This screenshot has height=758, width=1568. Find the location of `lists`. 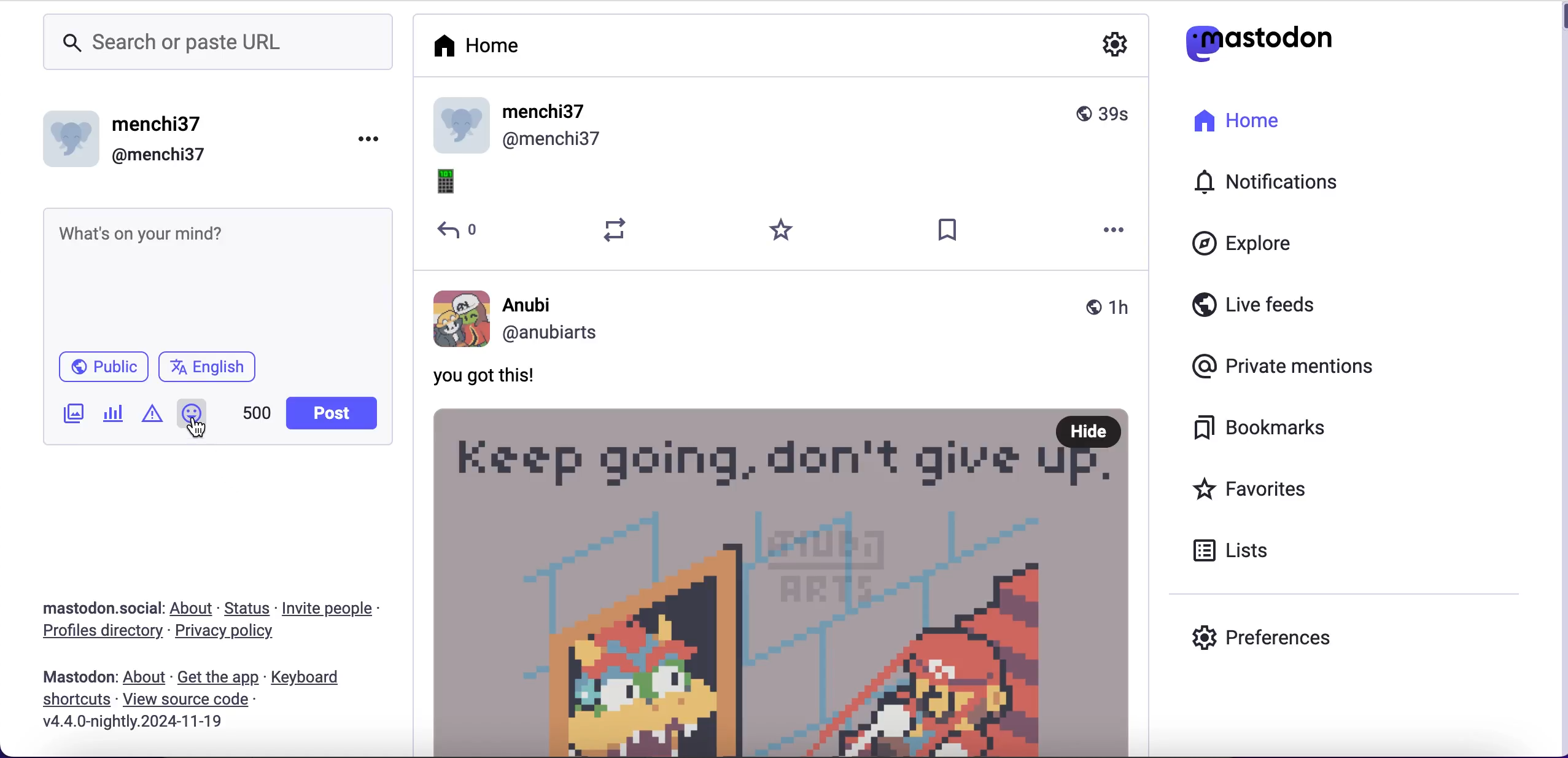

lists is located at coordinates (1234, 551).